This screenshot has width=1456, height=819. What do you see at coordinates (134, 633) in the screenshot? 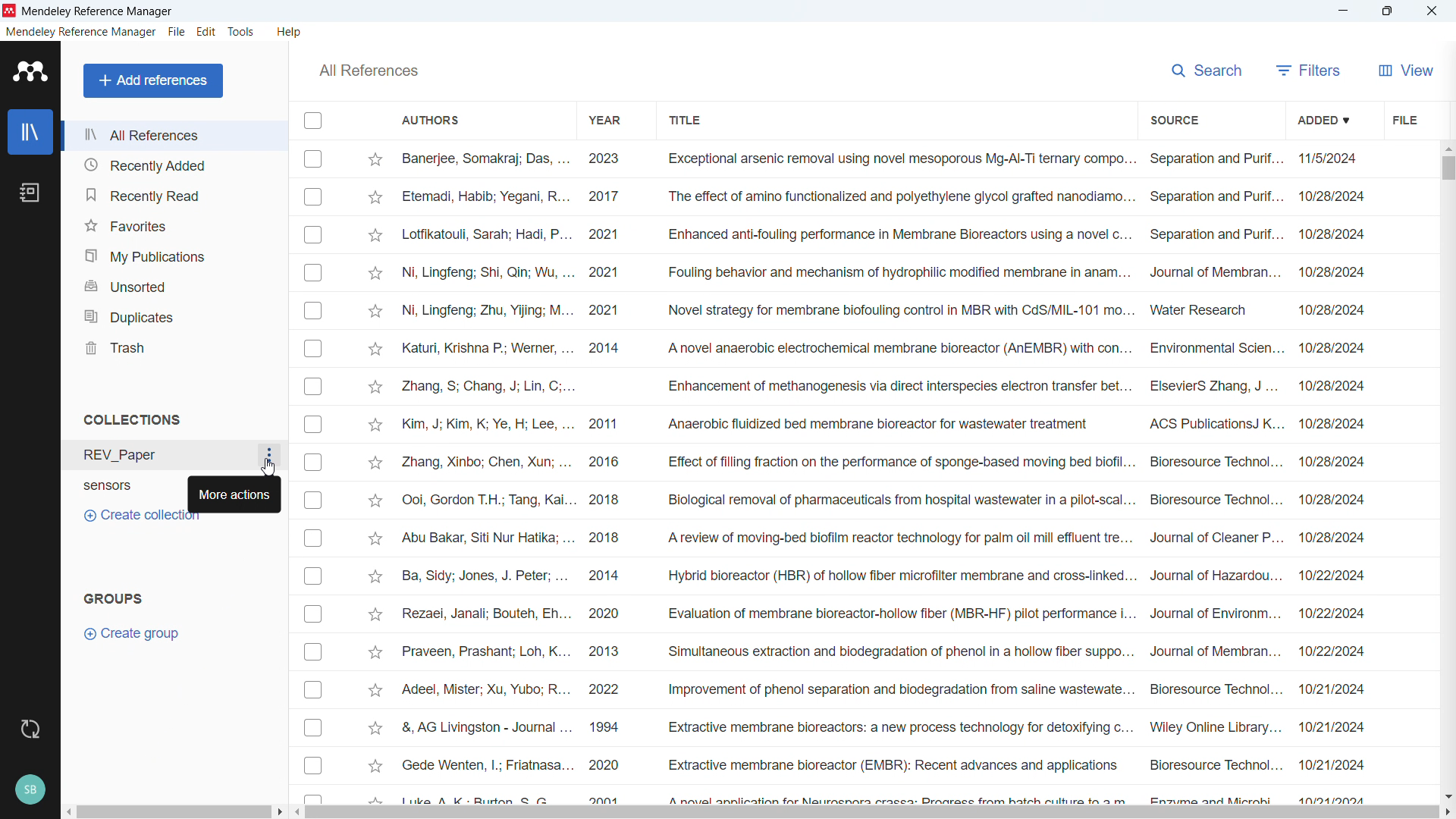
I see `Create group ` at bounding box center [134, 633].